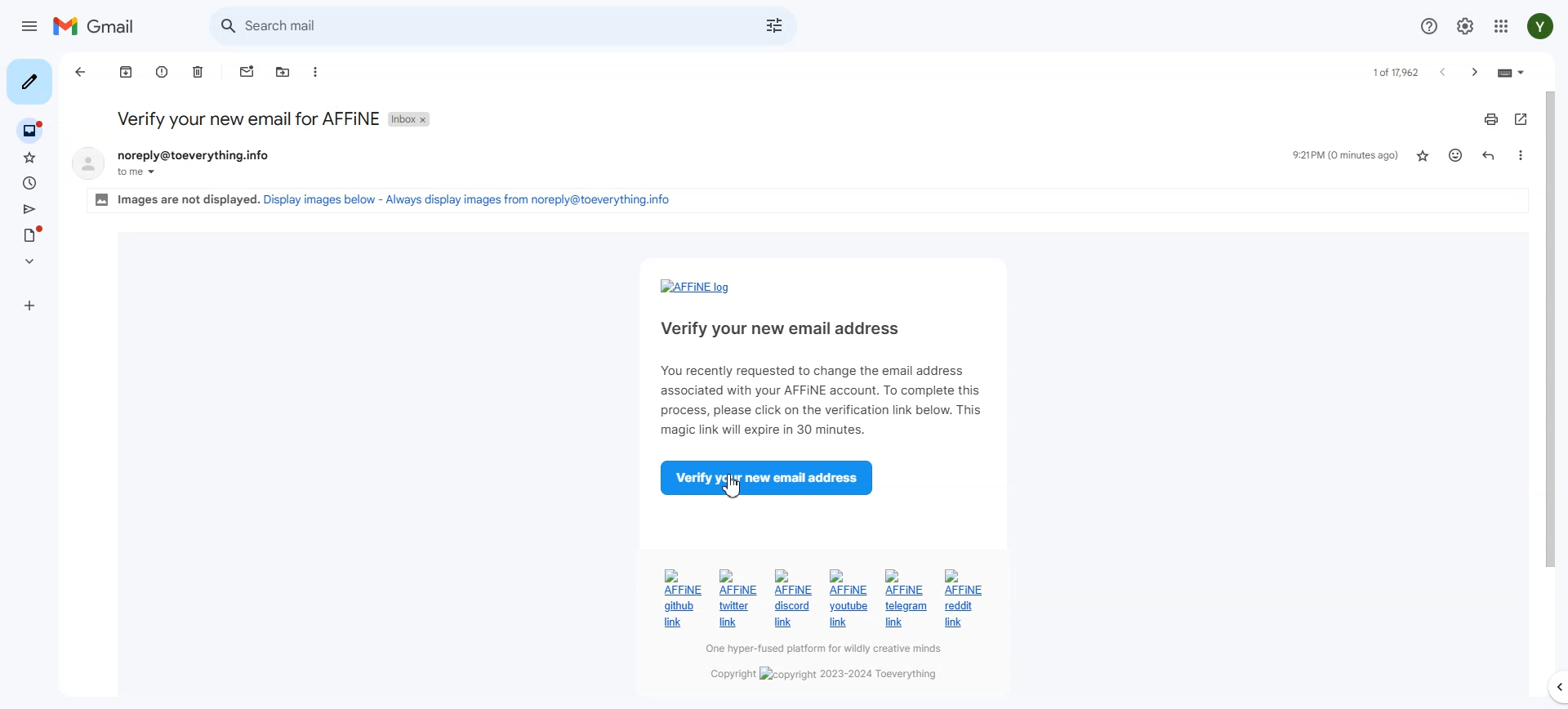 The height and width of the screenshot is (709, 1568). I want to click on Delete mail, so click(208, 73).